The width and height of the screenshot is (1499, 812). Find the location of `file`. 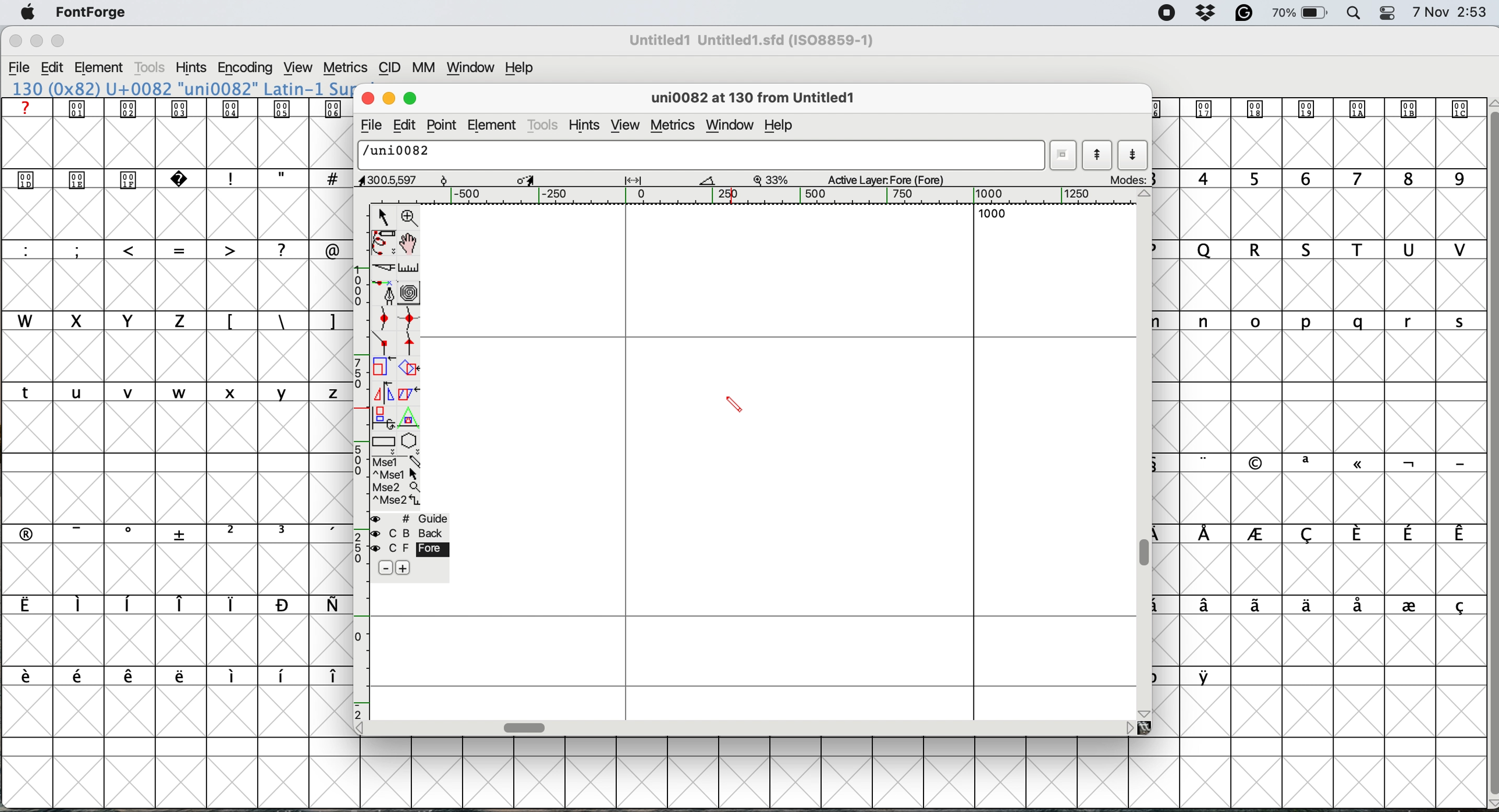

file is located at coordinates (369, 127).